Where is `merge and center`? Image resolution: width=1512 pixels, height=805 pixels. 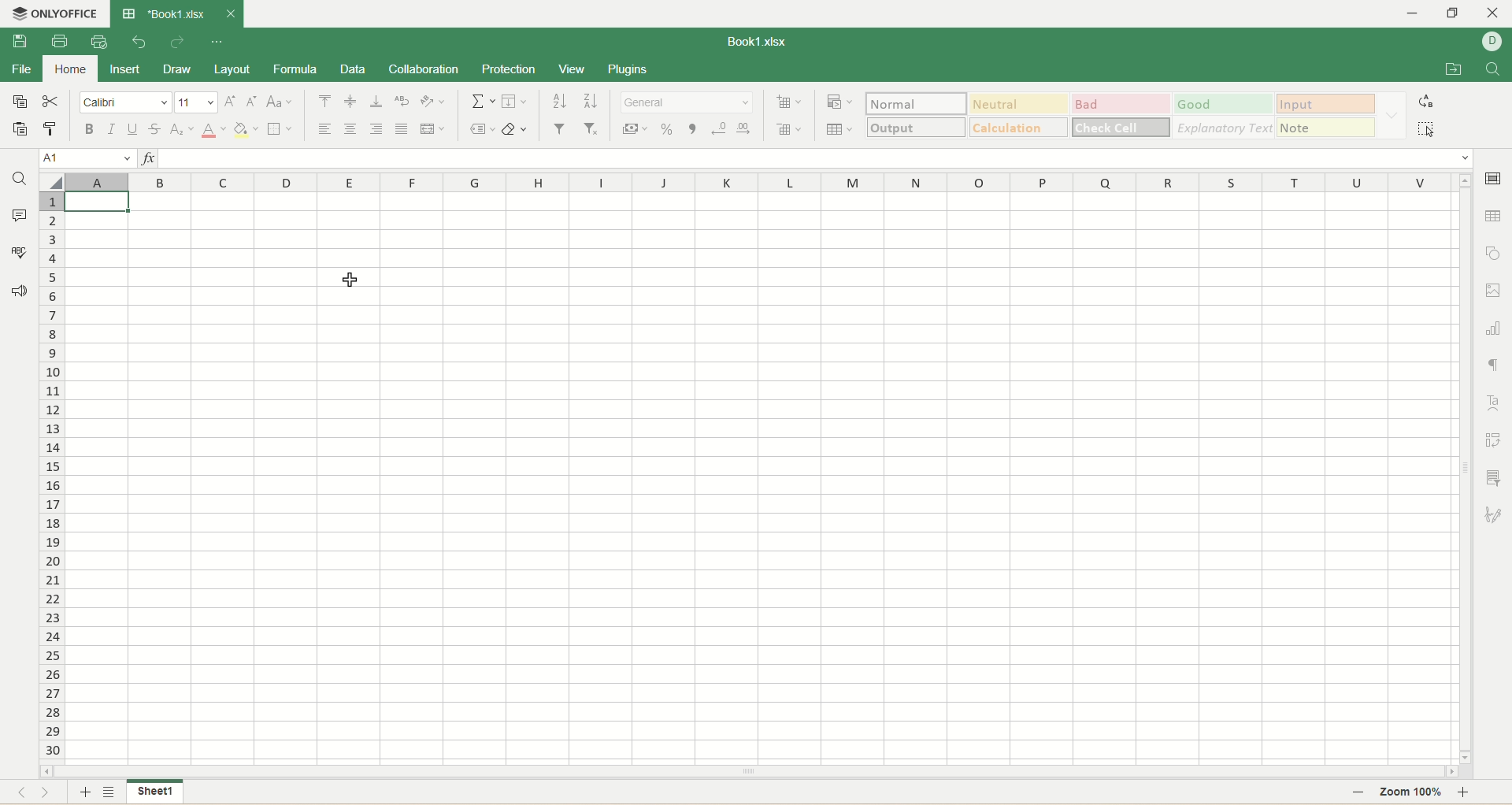
merge and center is located at coordinates (433, 129).